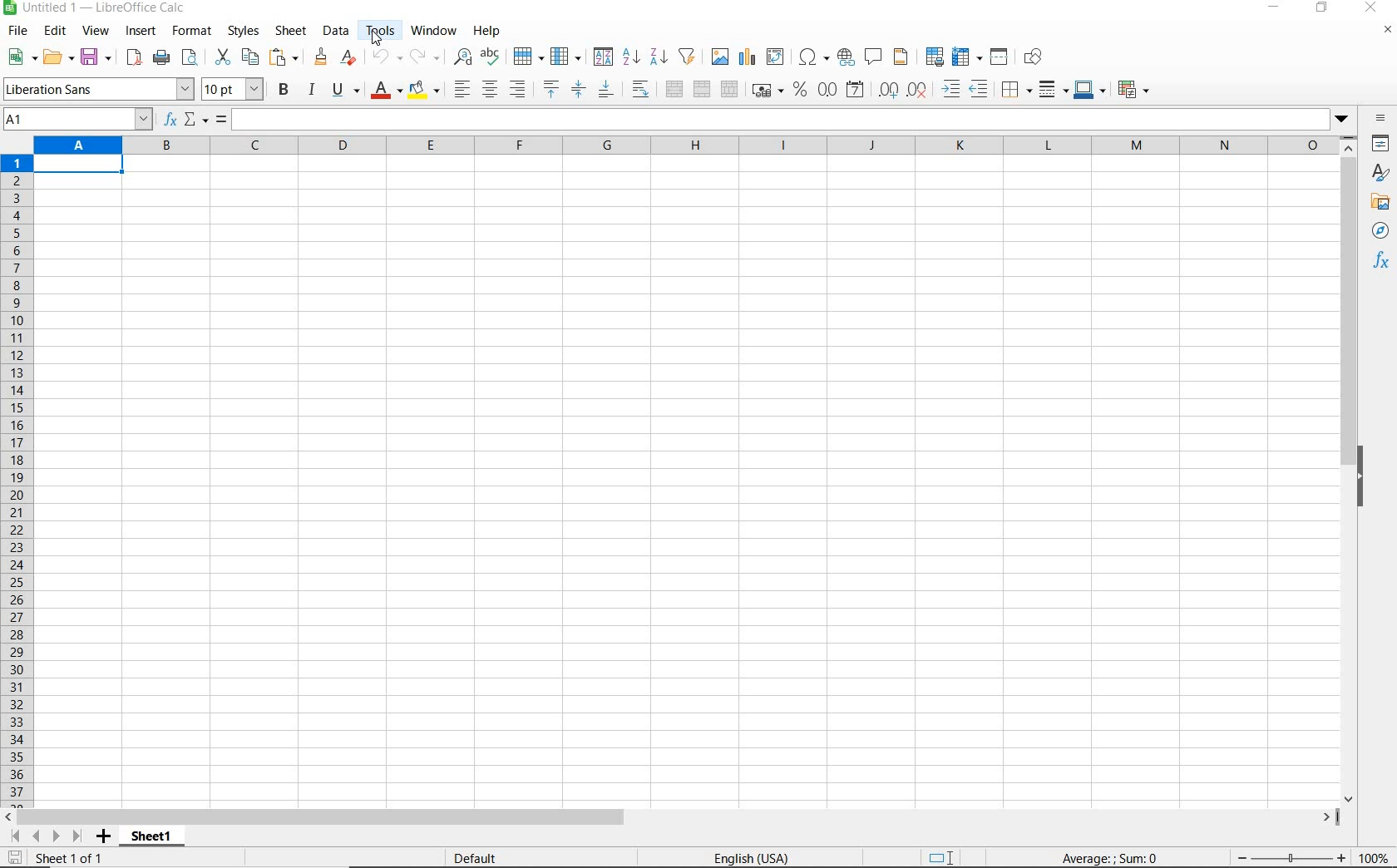  Describe the element at coordinates (96, 31) in the screenshot. I see `view` at that location.